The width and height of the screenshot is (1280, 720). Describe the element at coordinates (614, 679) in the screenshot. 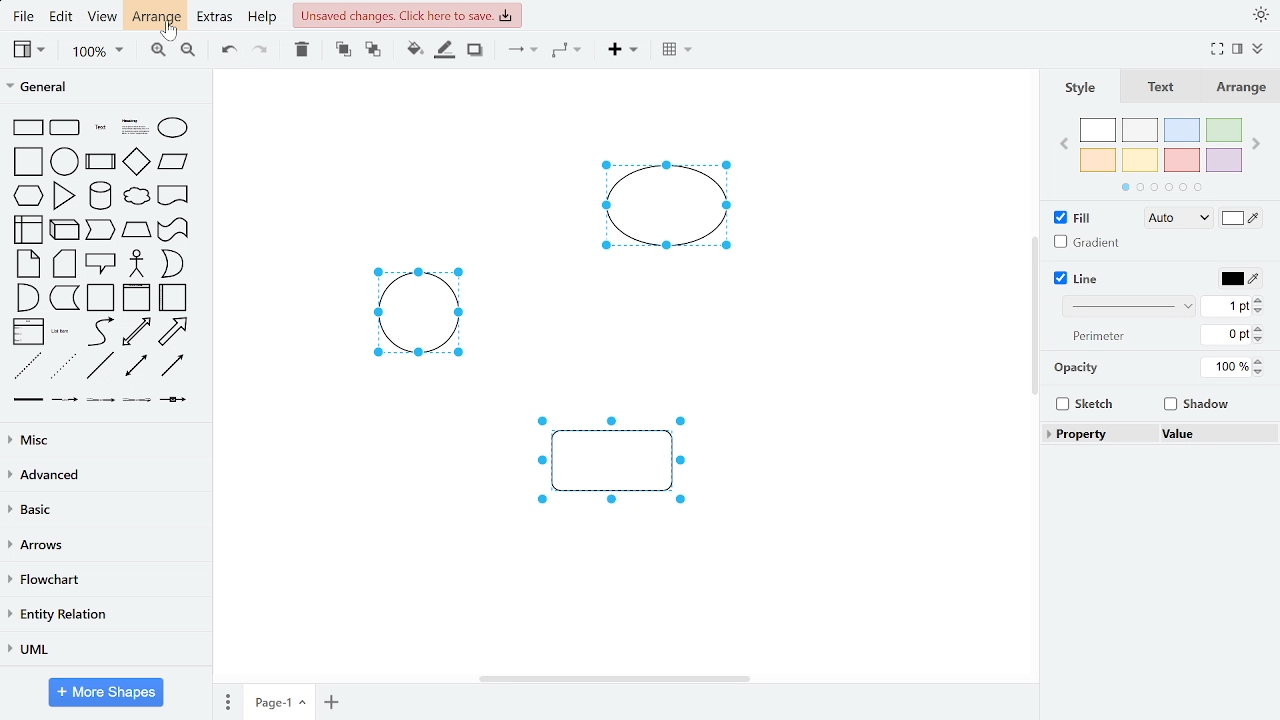

I see `horizontal scrollbar` at that location.